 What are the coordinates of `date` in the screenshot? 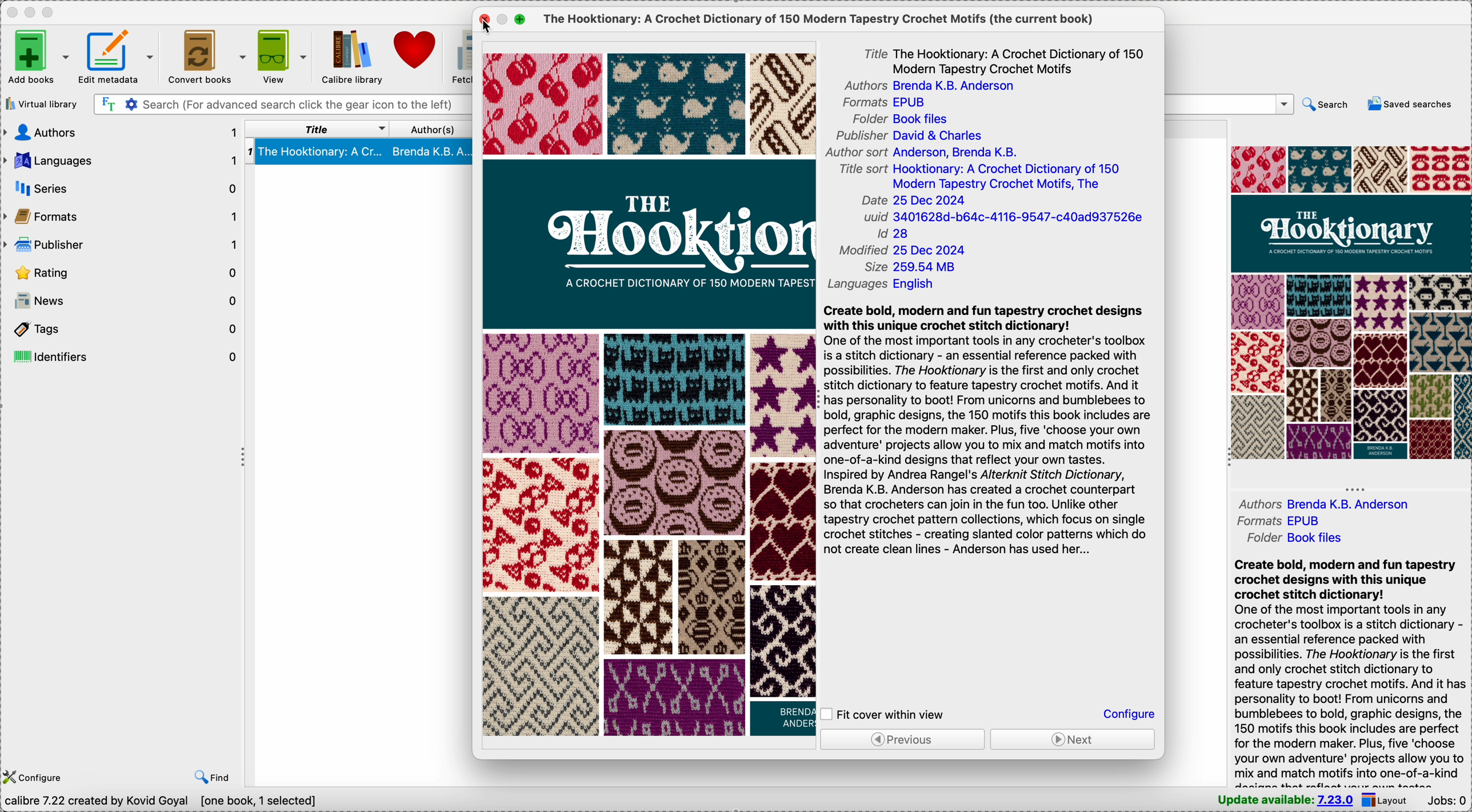 It's located at (915, 201).